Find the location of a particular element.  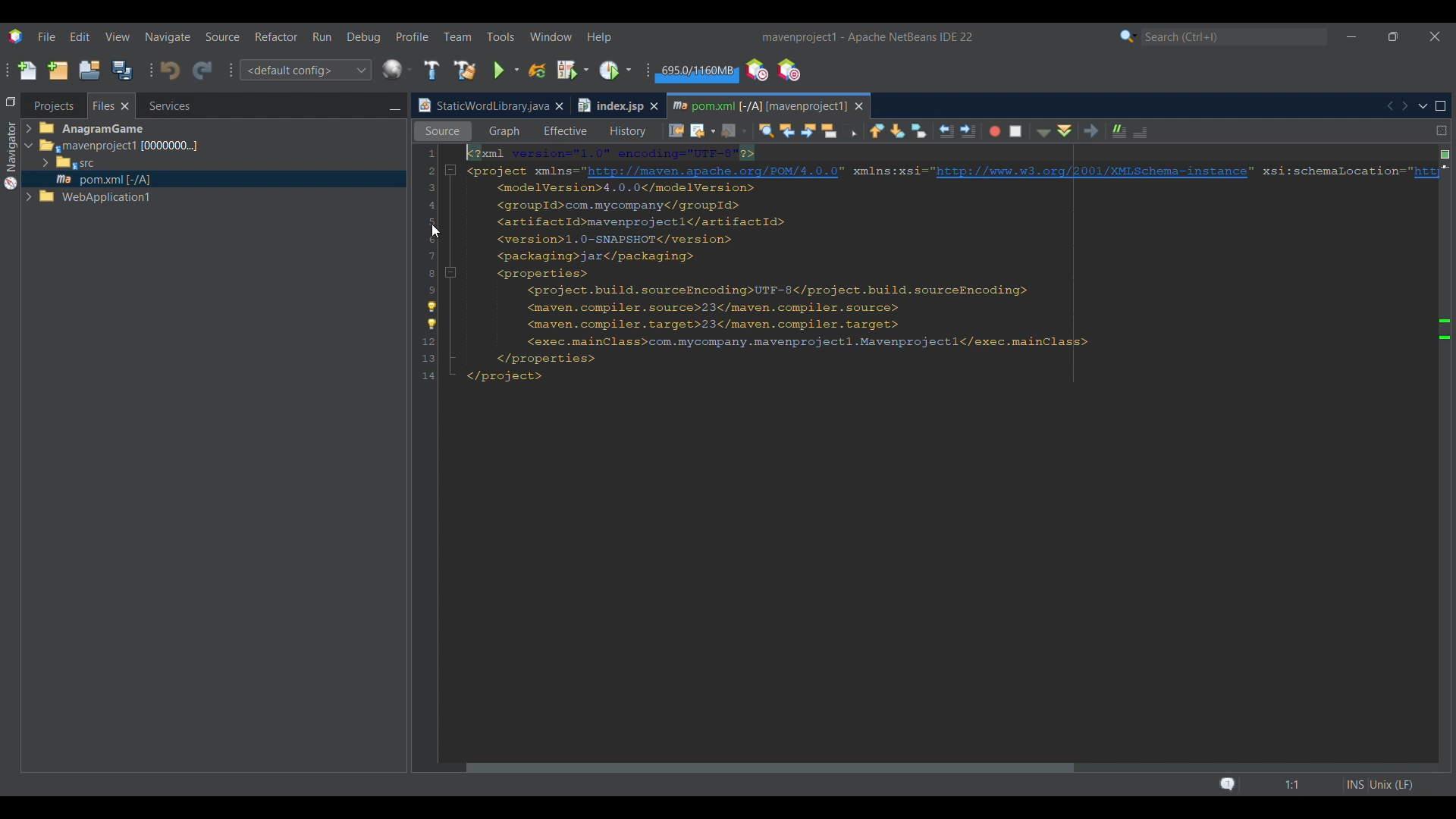

Edit menu is located at coordinates (80, 36).